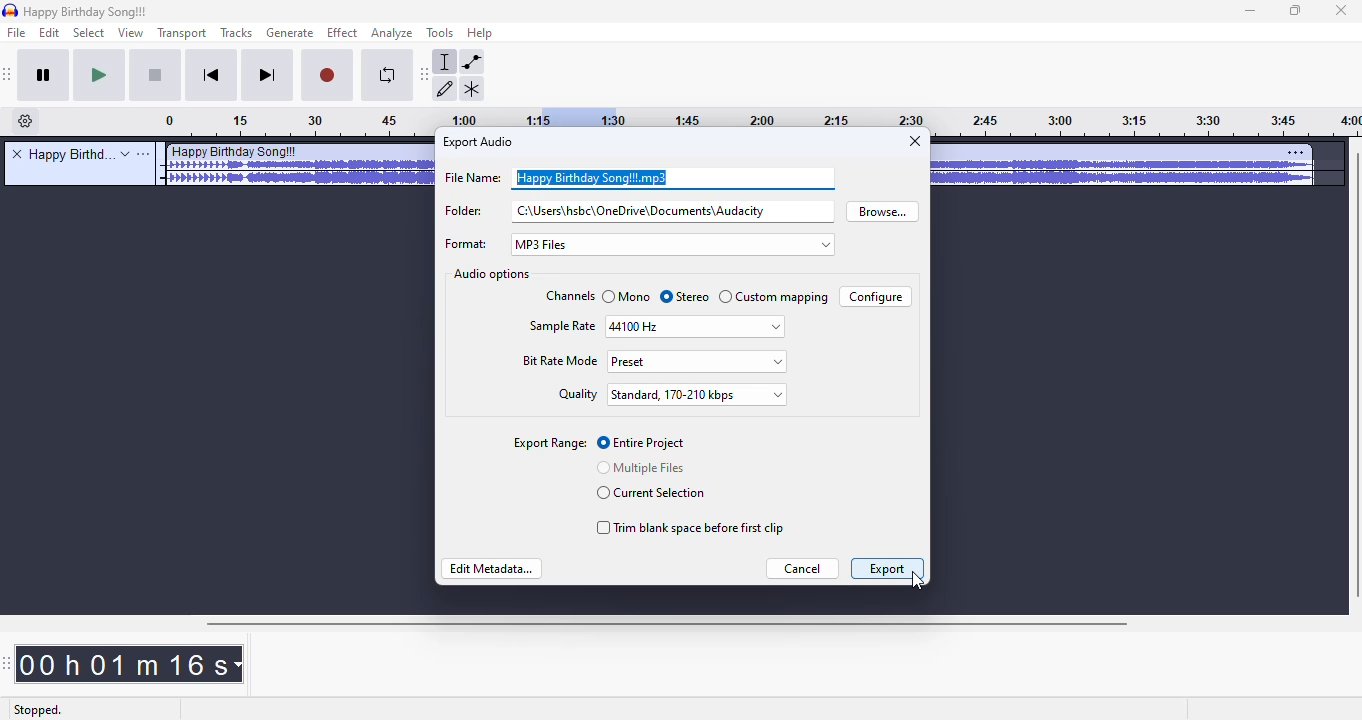 This screenshot has height=720, width=1362. I want to click on 44100 Hz, so click(693, 326).